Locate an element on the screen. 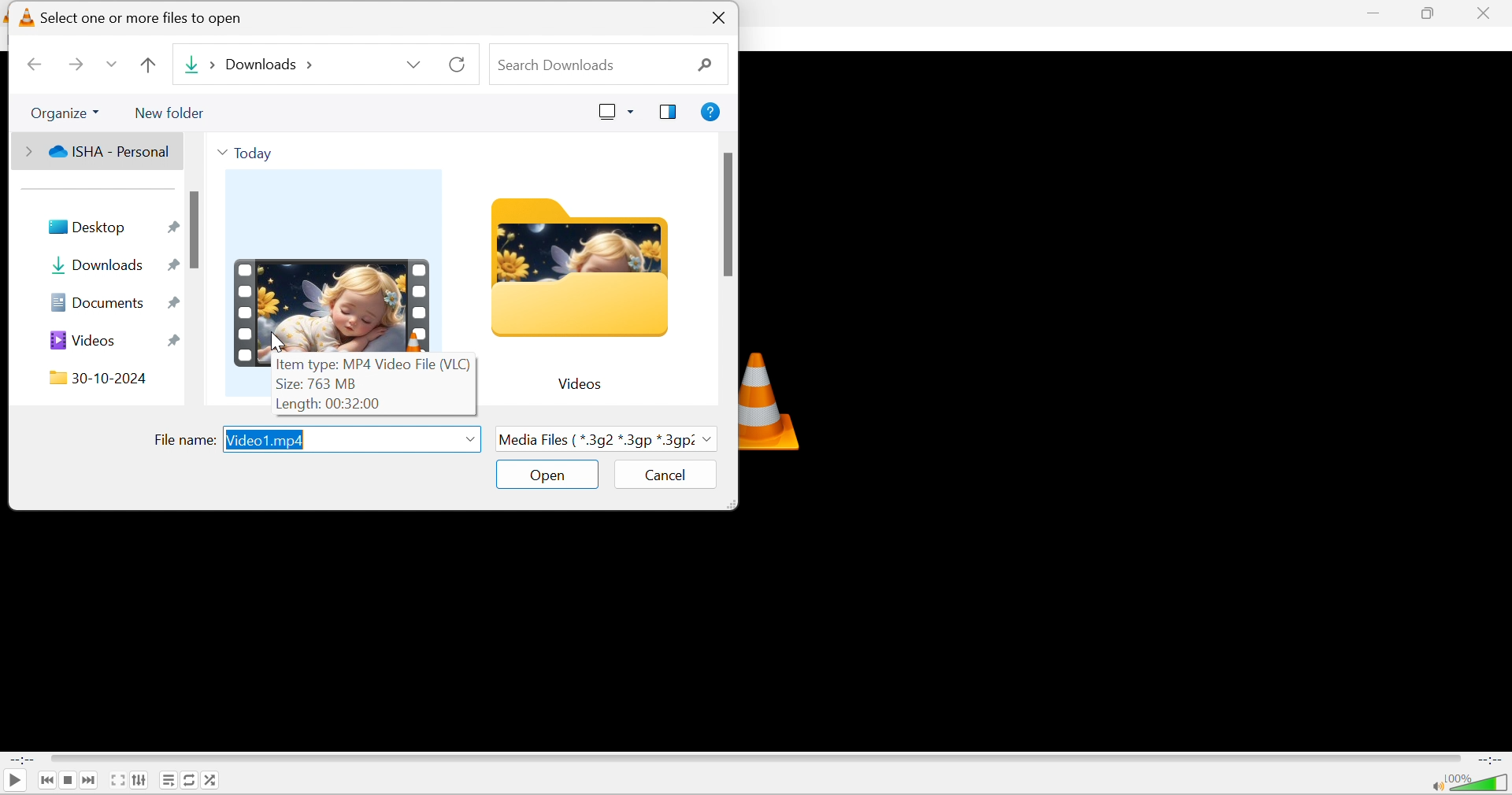 The height and width of the screenshot is (795, 1512). Get help. is located at coordinates (715, 111).